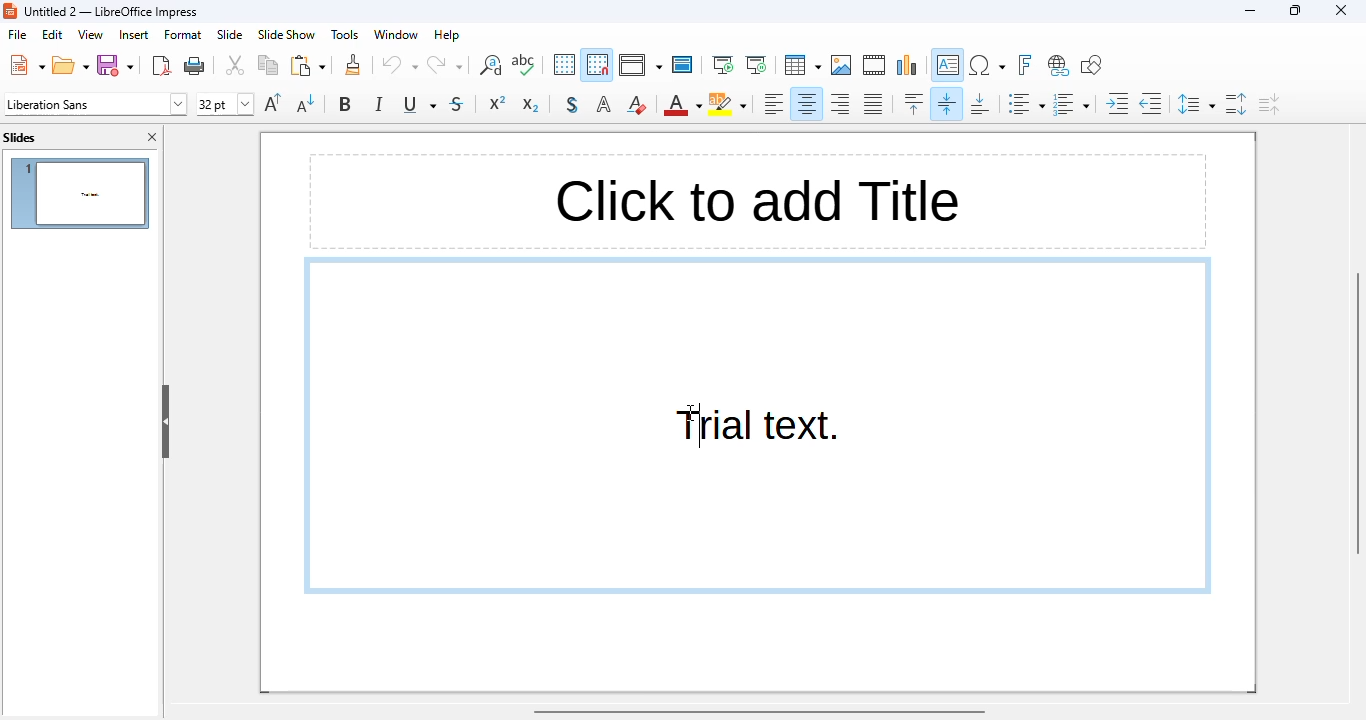 The height and width of the screenshot is (720, 1366). Describe the element at coordinates (116, 65) in the screenshot. I see `save` at that location.